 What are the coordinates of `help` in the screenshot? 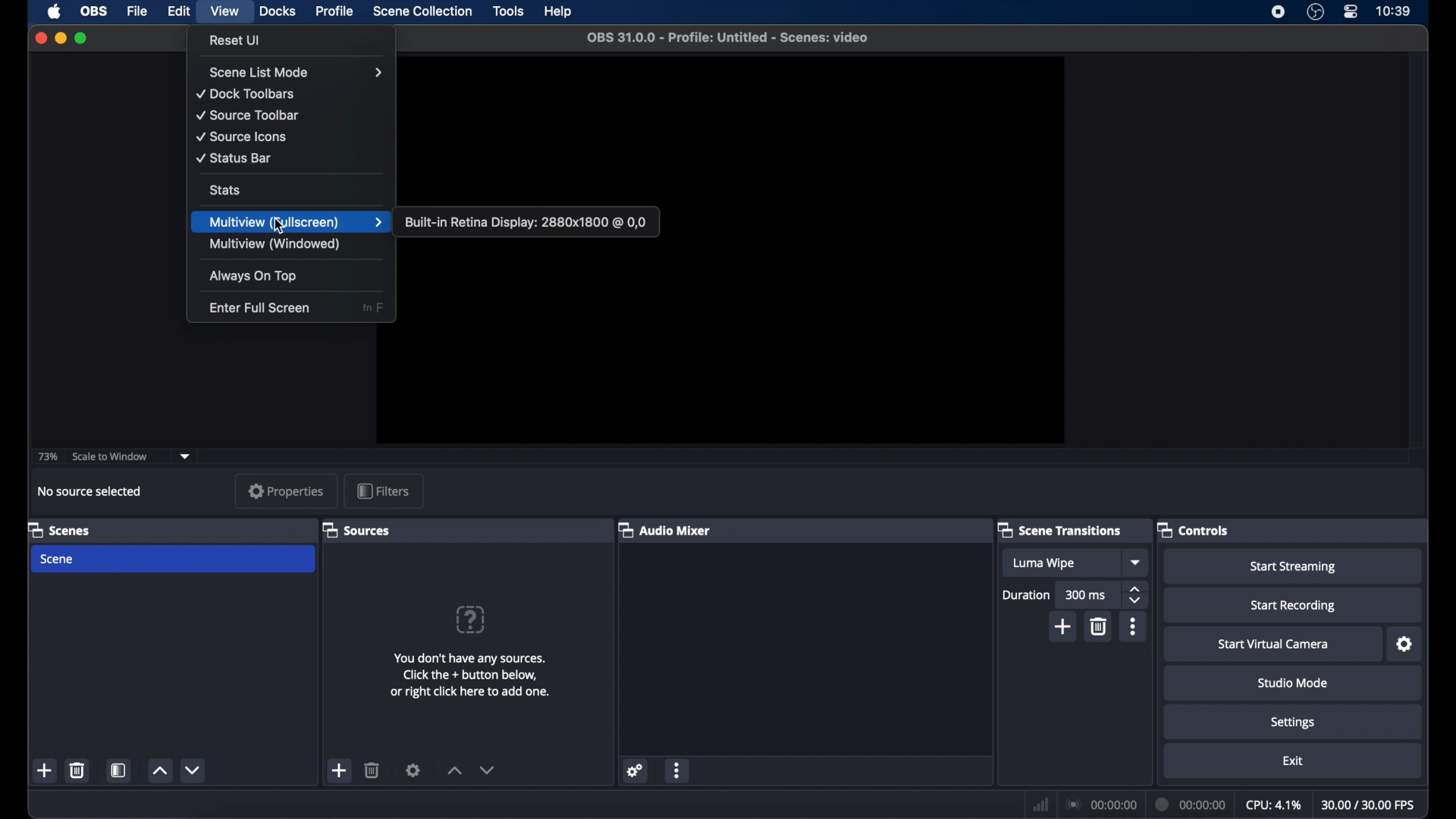 It's located at (557, 12).